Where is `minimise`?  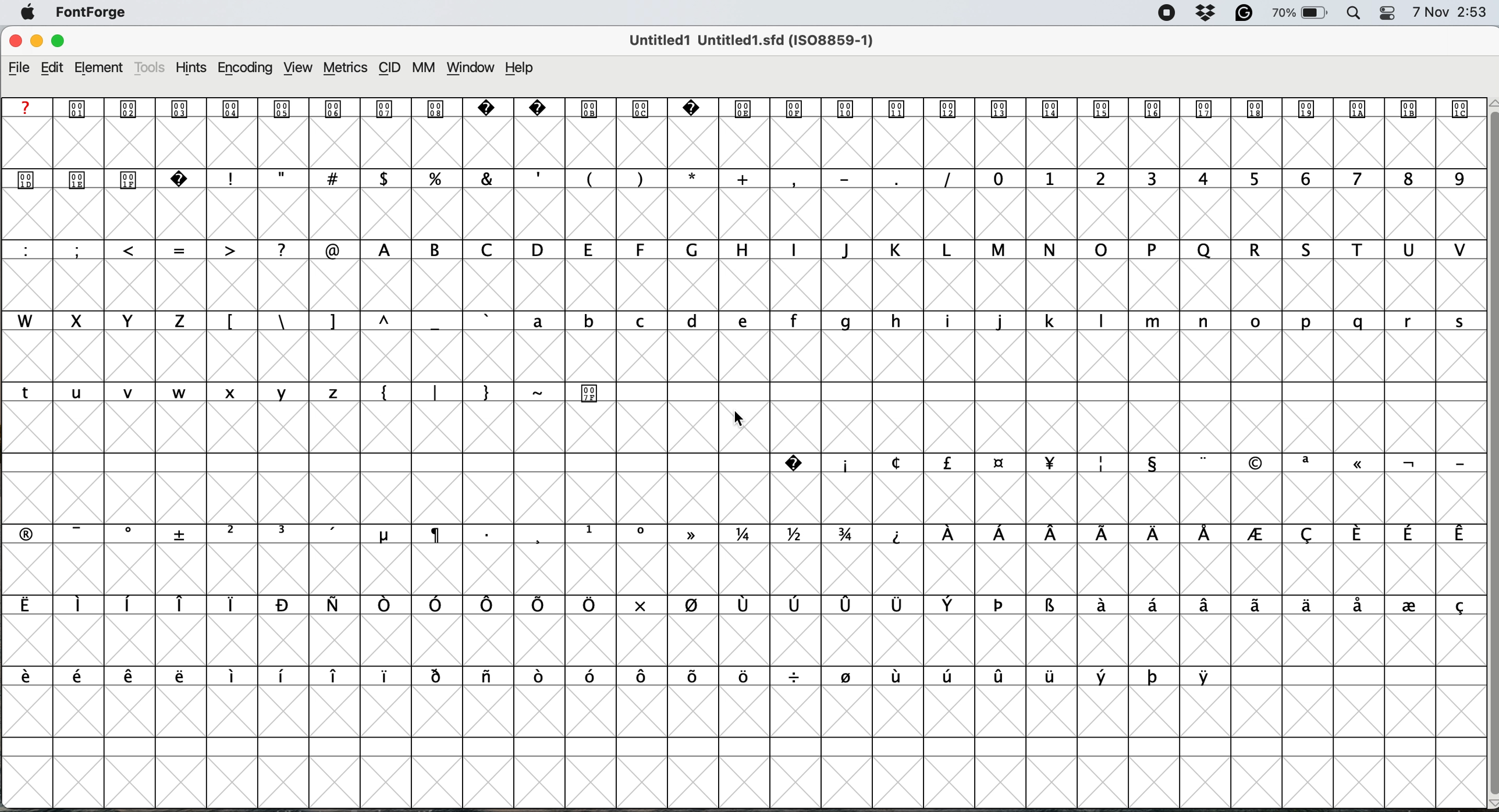
minimise is located at coordinates (33, 43).